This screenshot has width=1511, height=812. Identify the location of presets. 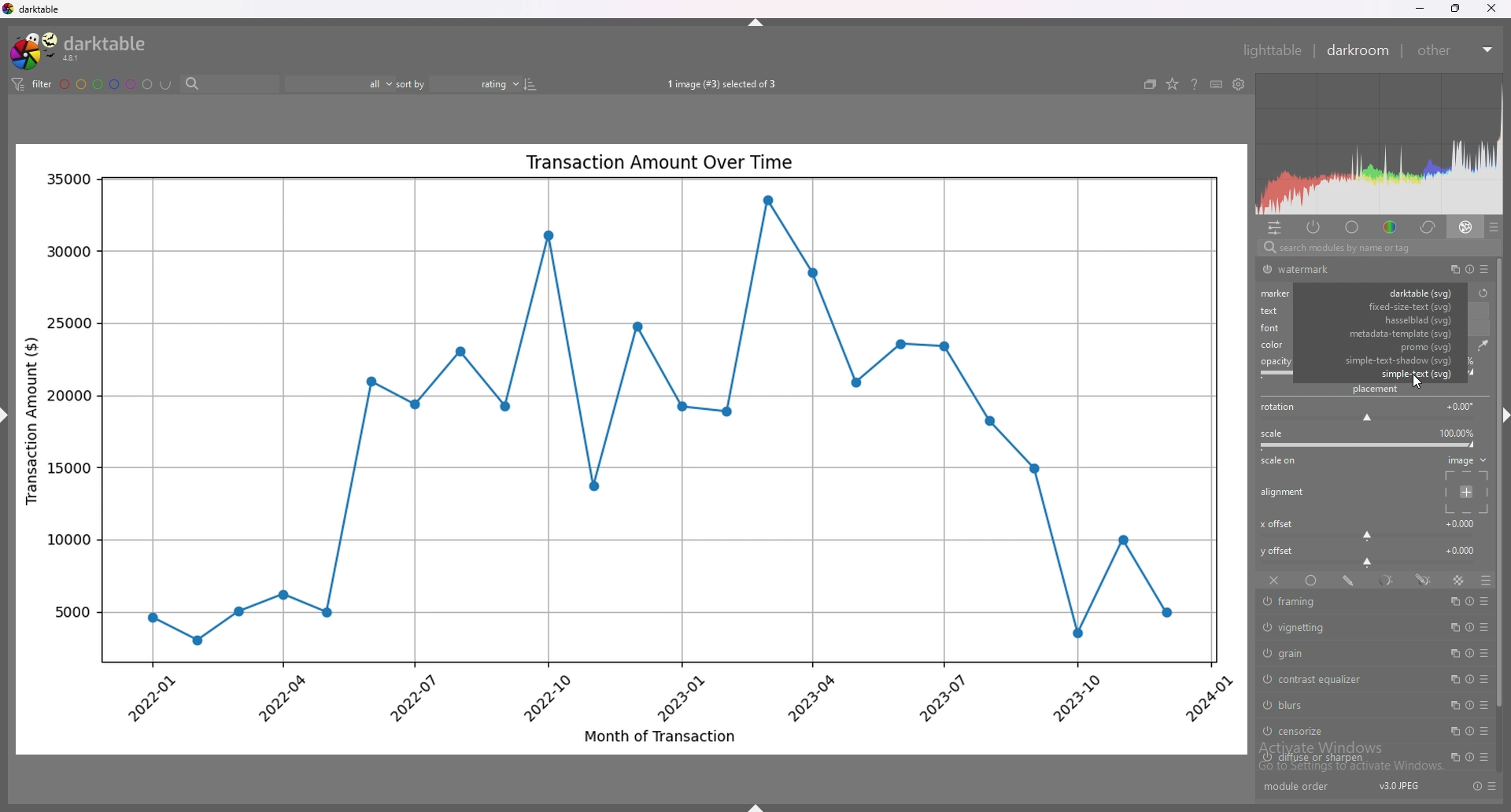
(1482, 757).